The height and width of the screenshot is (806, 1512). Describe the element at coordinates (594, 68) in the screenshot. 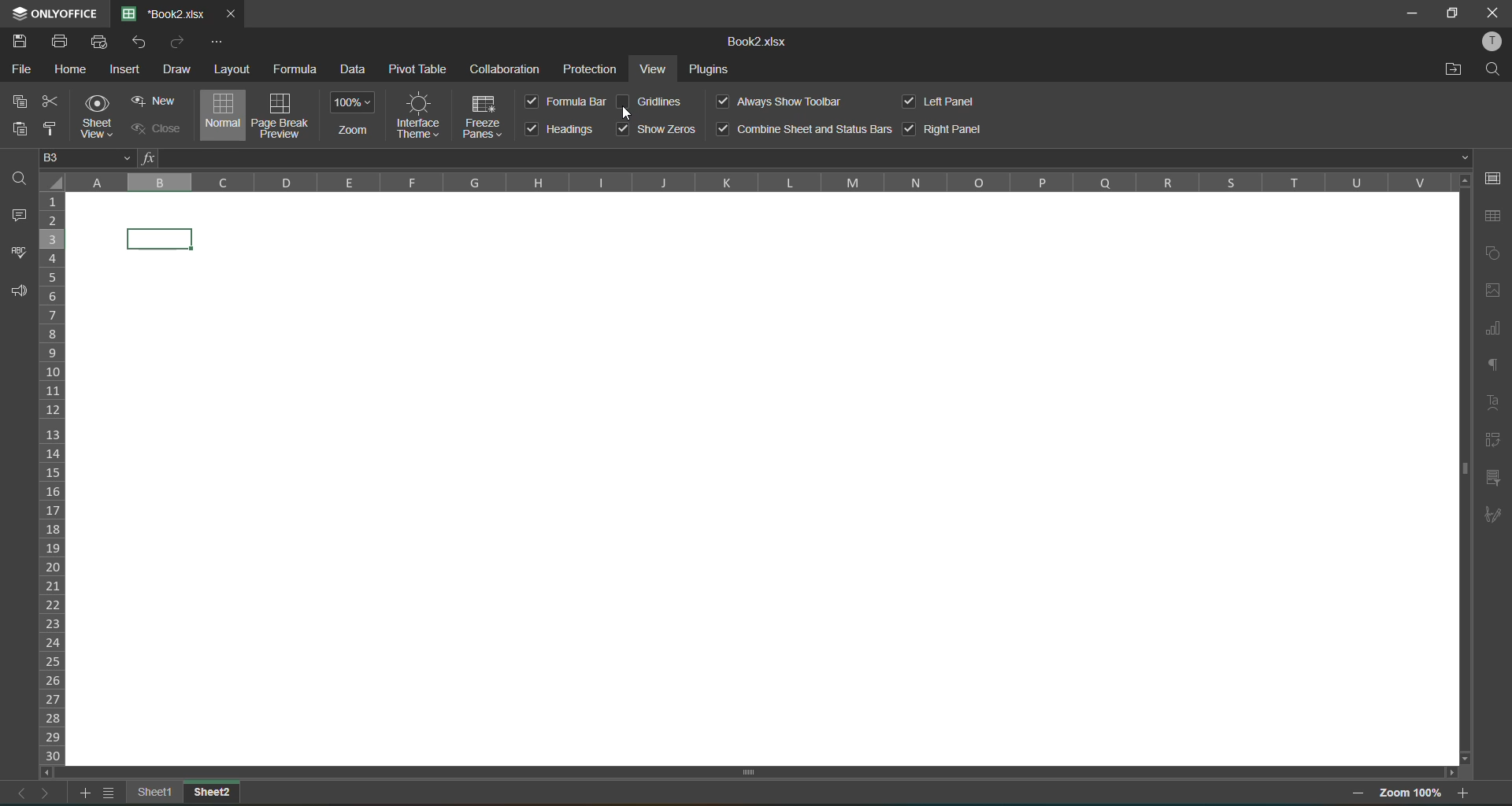

I see `protection` at that location.